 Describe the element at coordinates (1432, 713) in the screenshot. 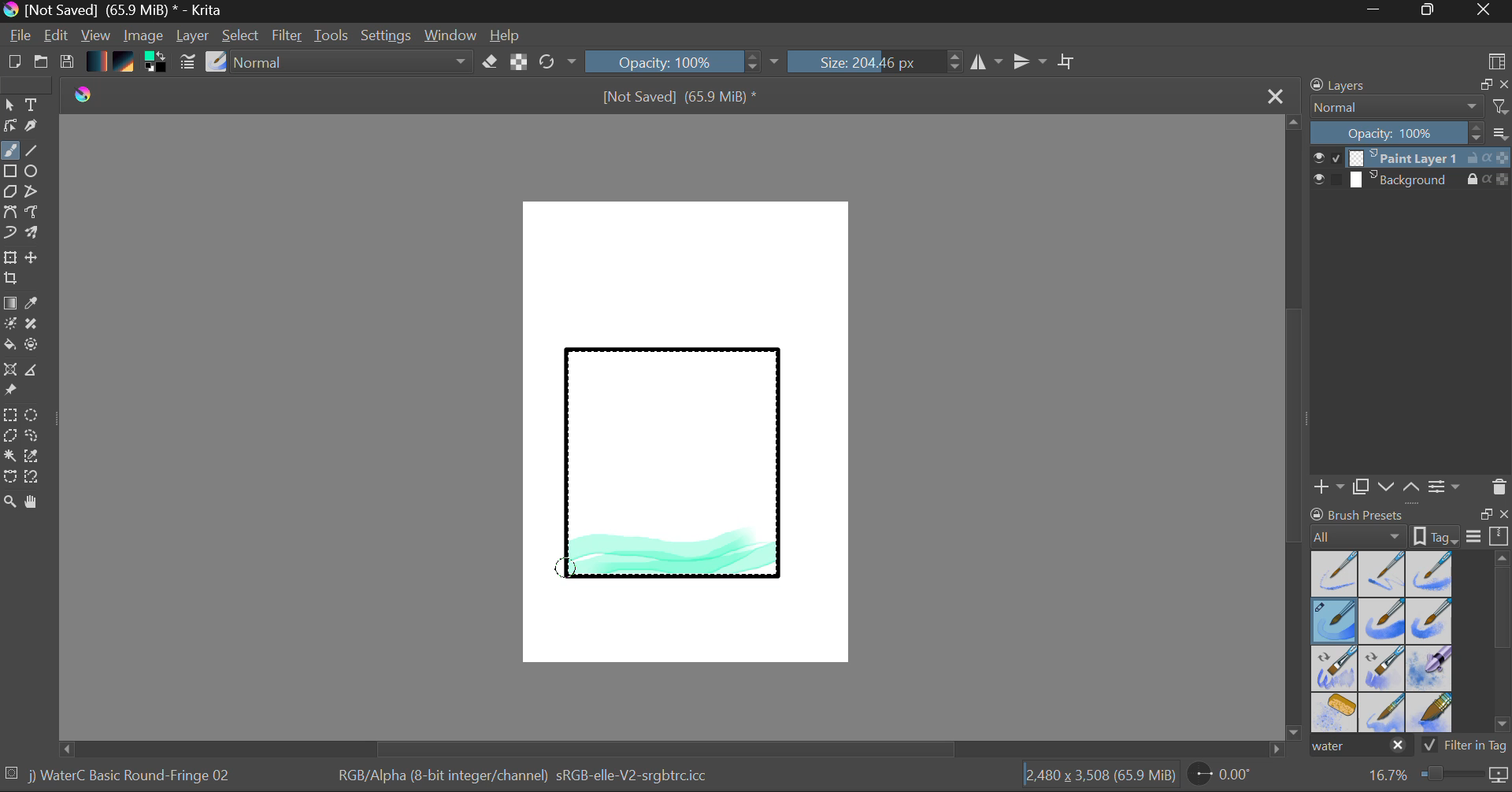

I see `Water C - Wide Area` at that location.